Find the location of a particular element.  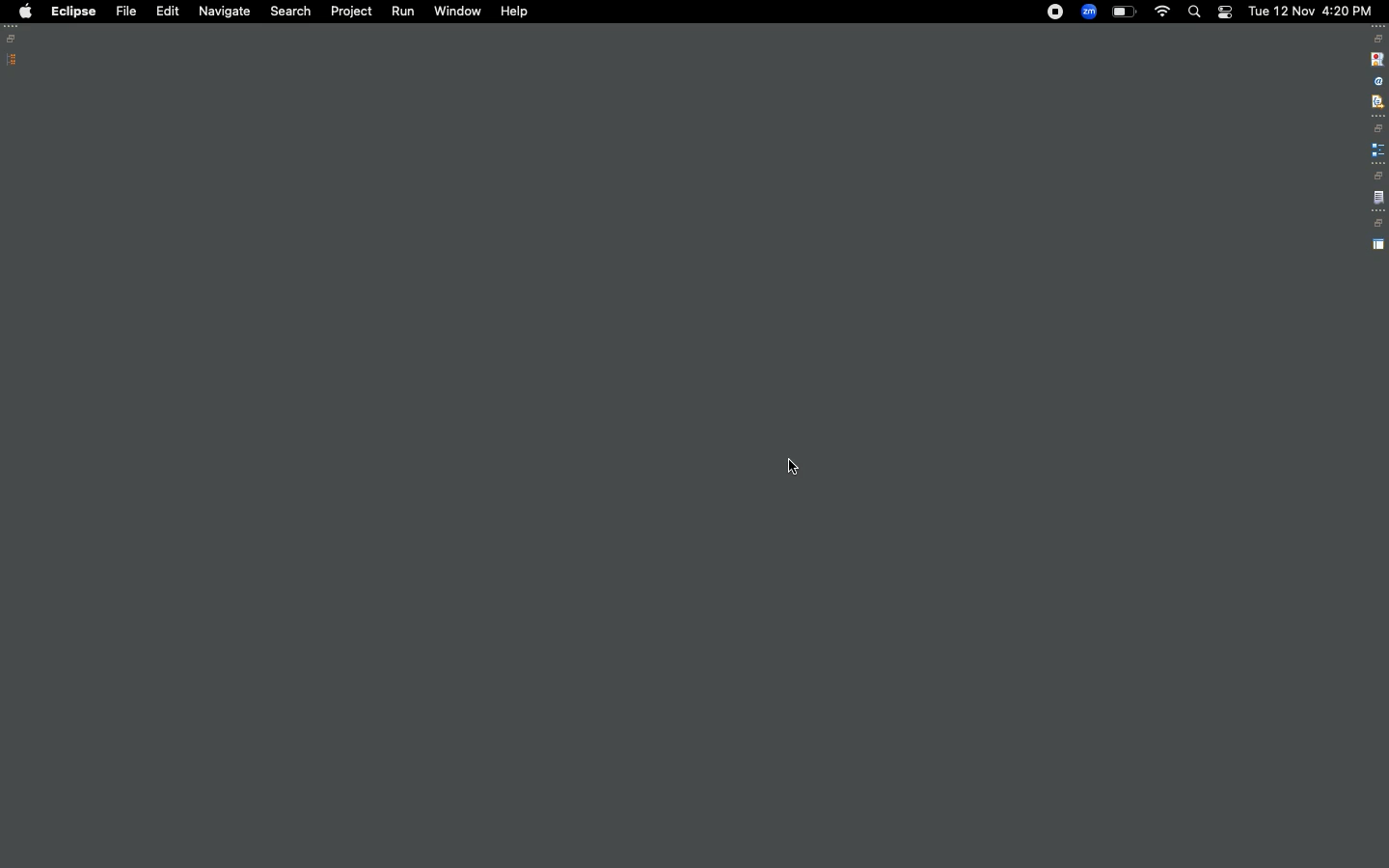

window is located at coordinates (456, 12).